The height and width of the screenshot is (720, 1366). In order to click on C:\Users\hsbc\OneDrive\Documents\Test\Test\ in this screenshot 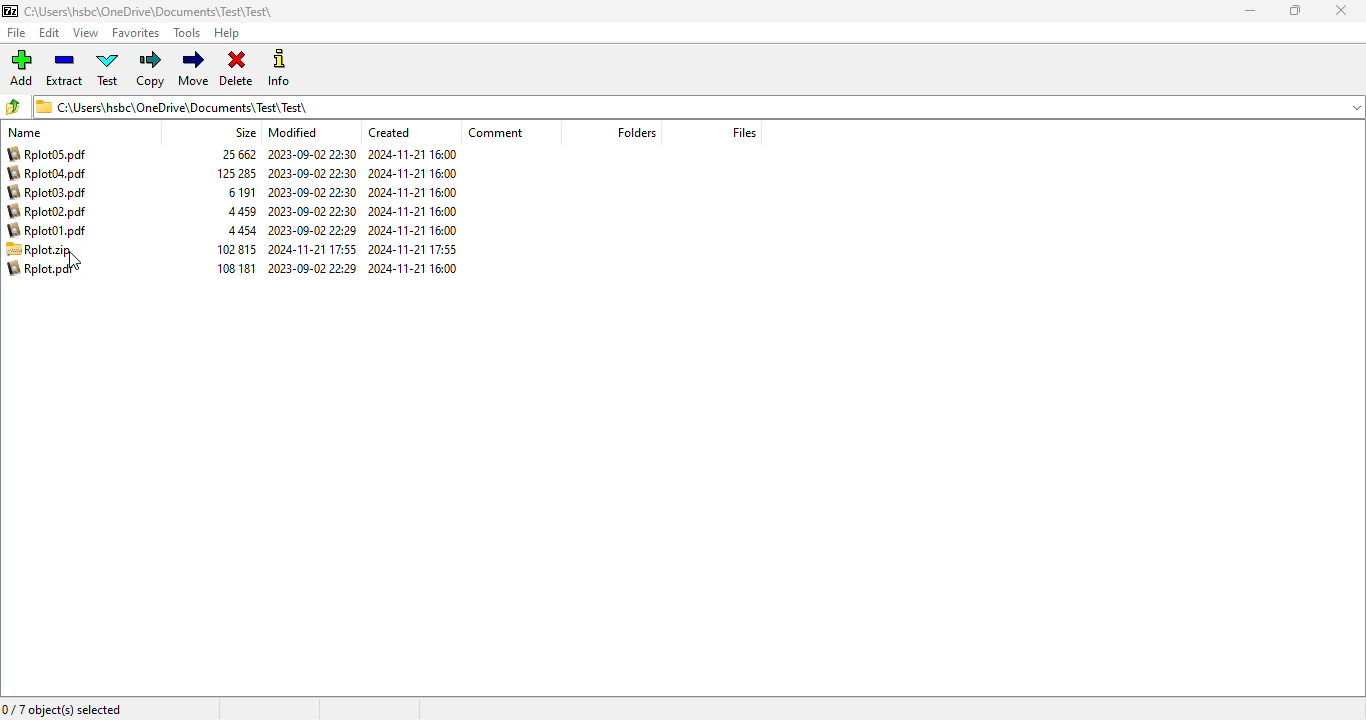, I will do `click(151, 12)`.